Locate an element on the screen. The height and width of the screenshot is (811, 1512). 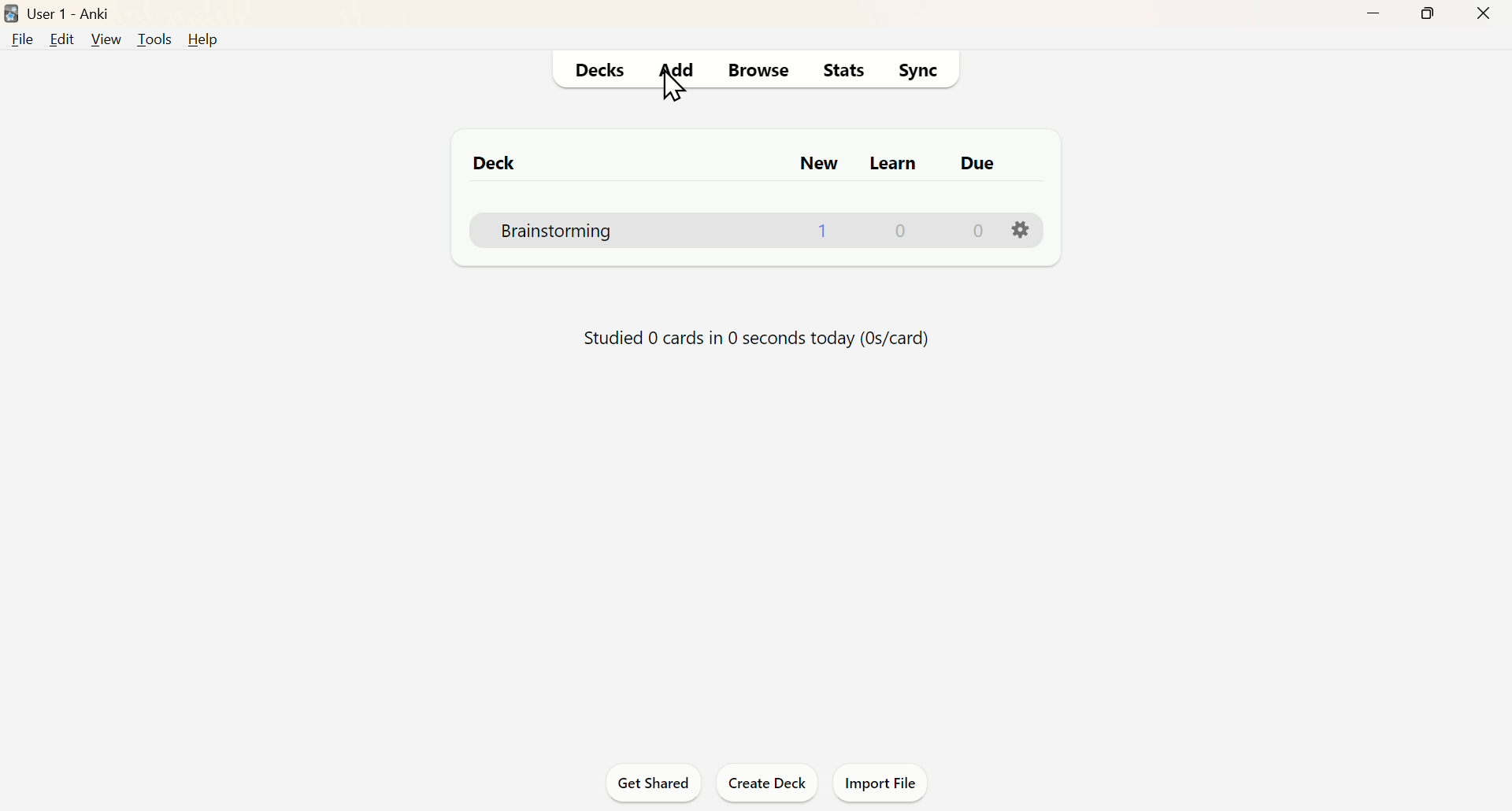
User 1 - Anki is located at coordinates (78, 12).